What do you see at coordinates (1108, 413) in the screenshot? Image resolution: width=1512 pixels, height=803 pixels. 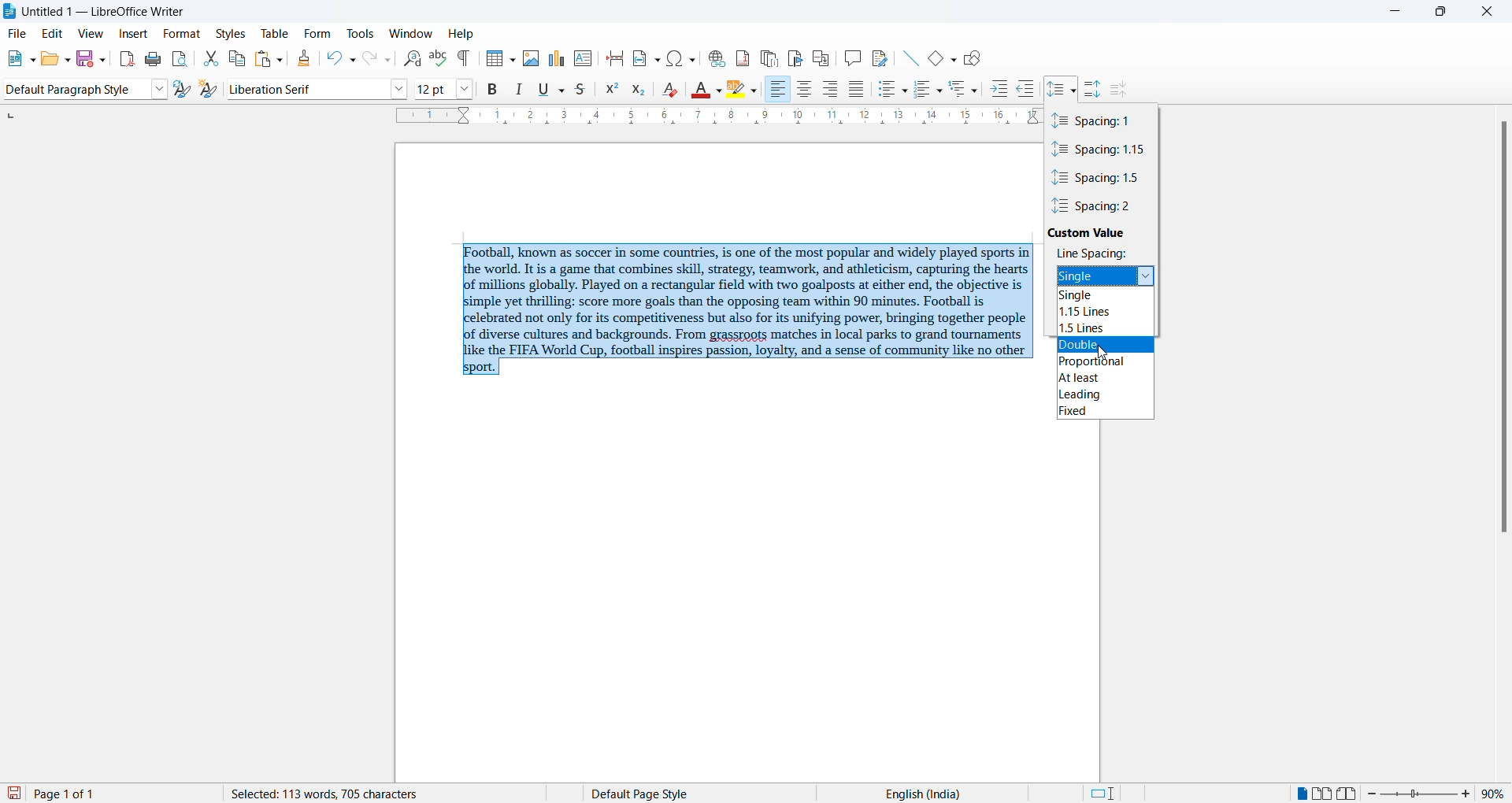 I see `fixed` at bounding box center [1108, 413].